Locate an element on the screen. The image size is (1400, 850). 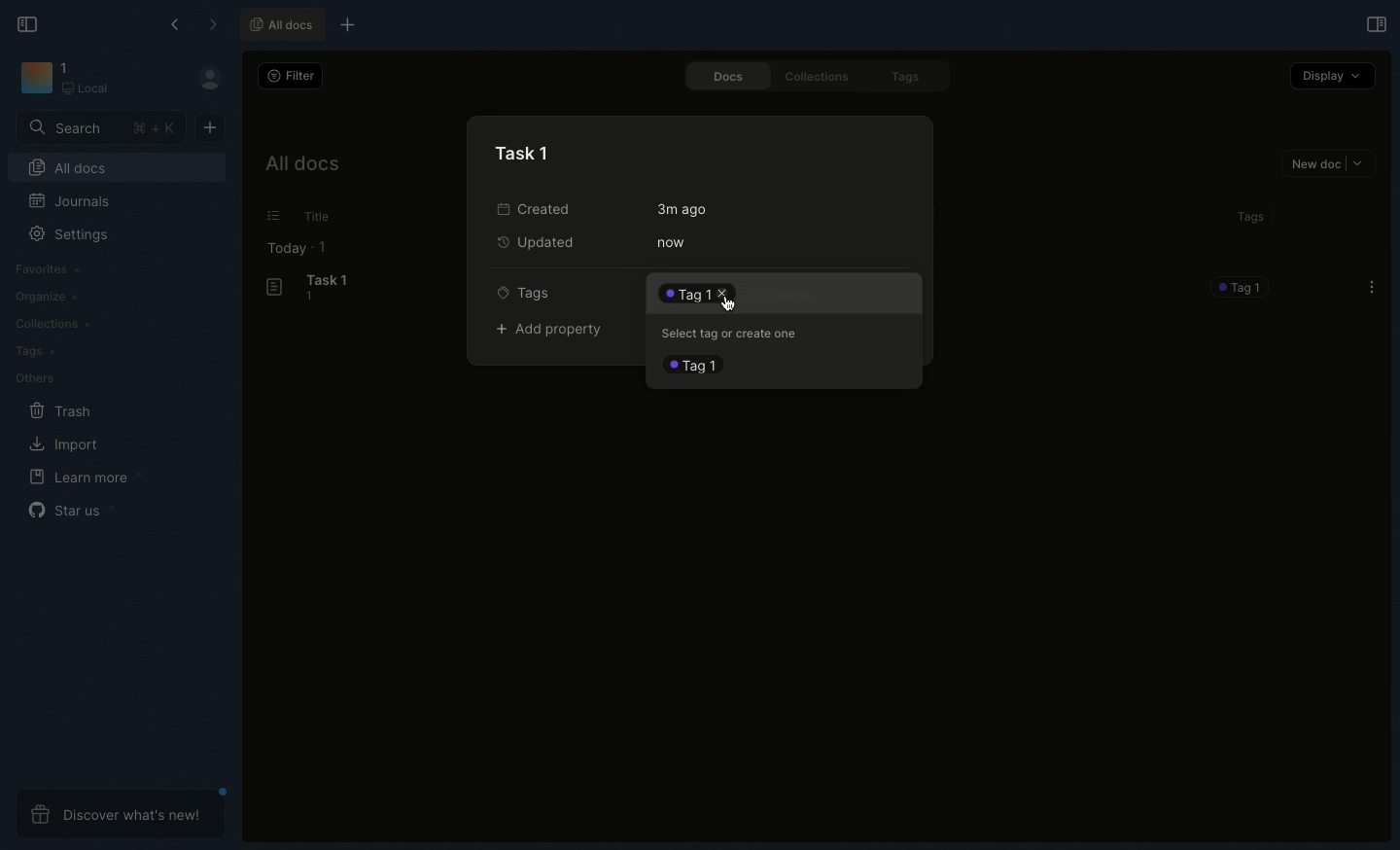
Options is located at coordinates (1372, 287).